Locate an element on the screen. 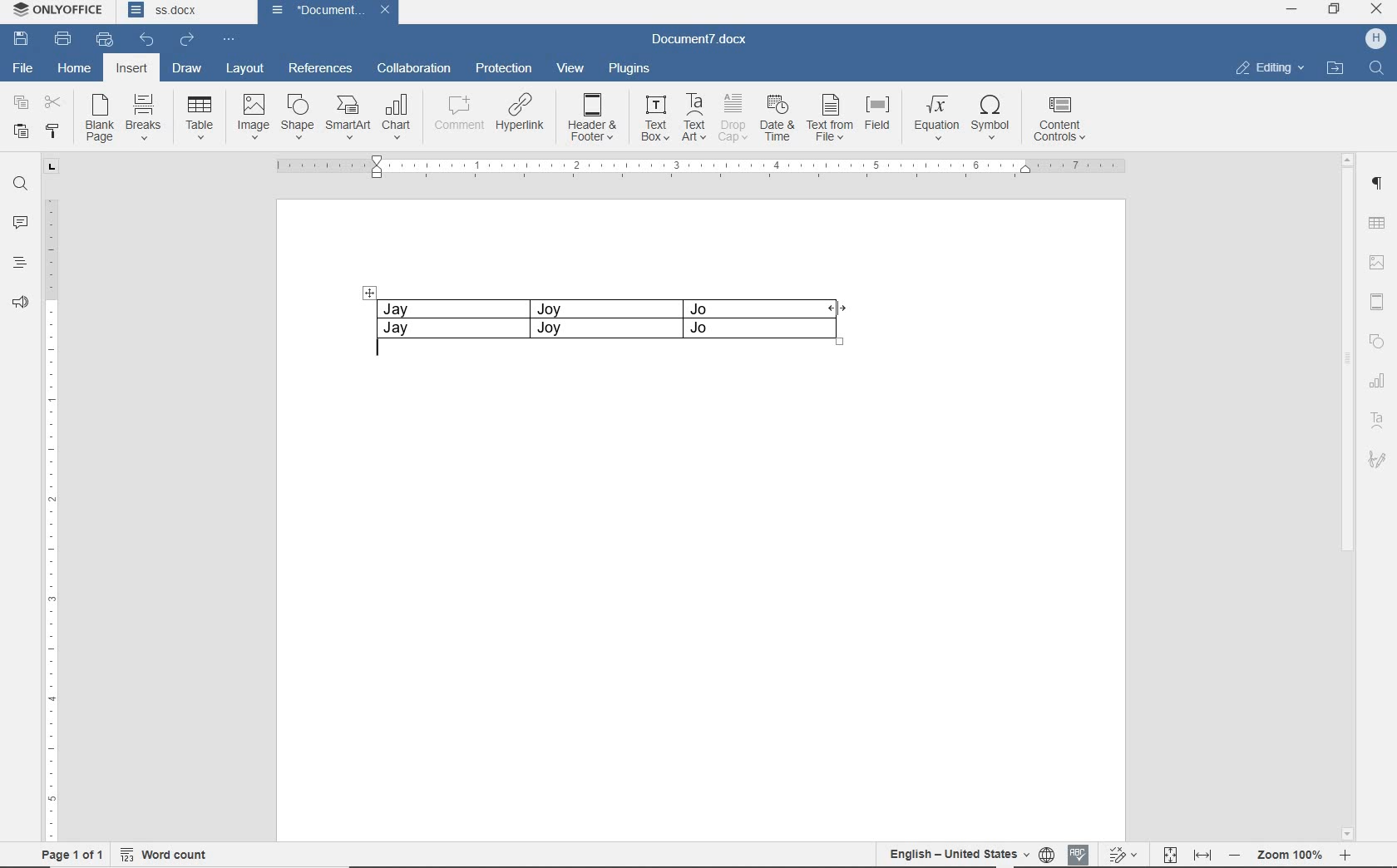 This screenshot has height=868, width=1397. SYMBOL is located at coordinates (990, 118).